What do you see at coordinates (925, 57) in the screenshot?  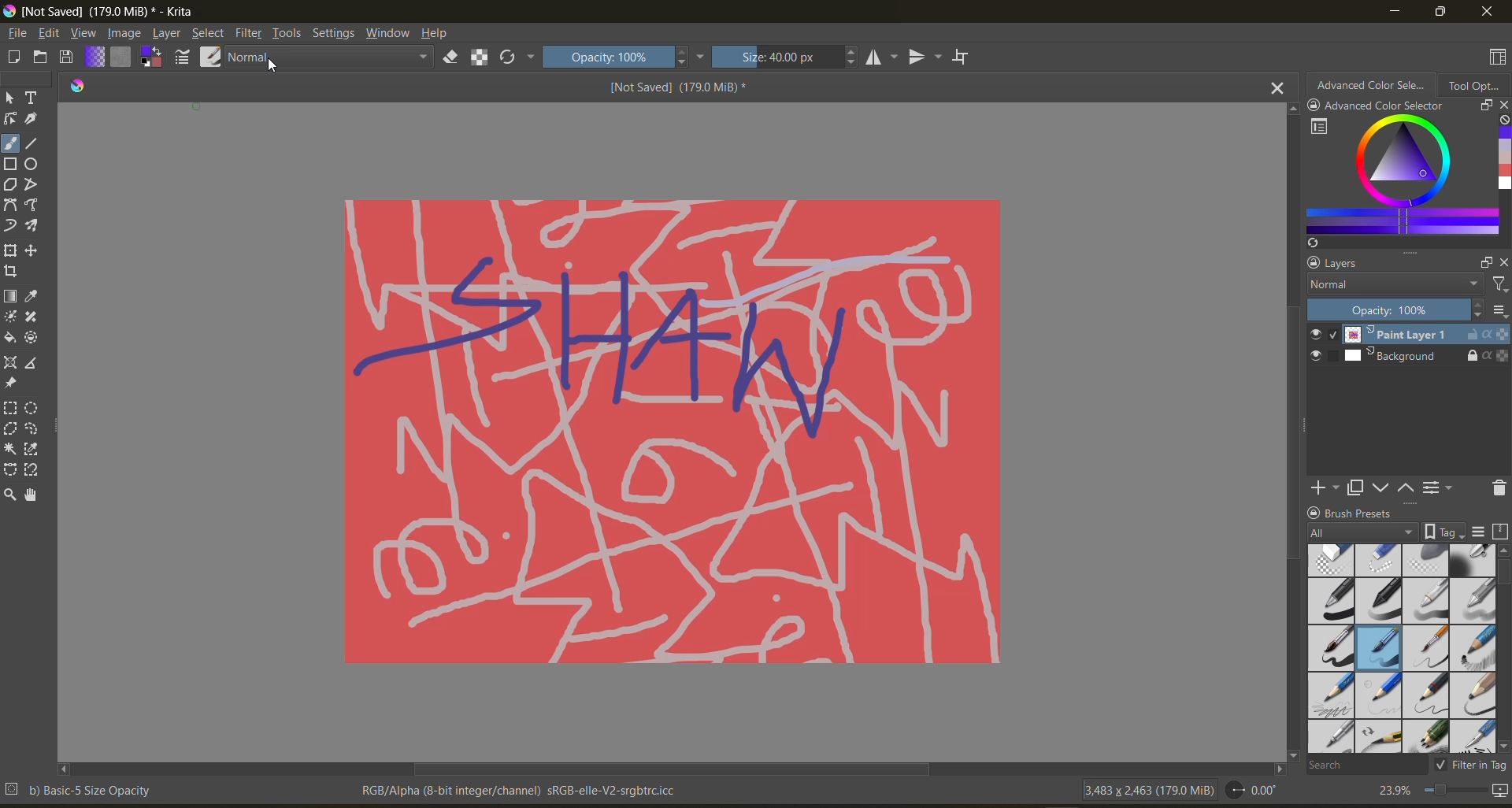 I see `flip vertically` at bounding box center [925, 57].